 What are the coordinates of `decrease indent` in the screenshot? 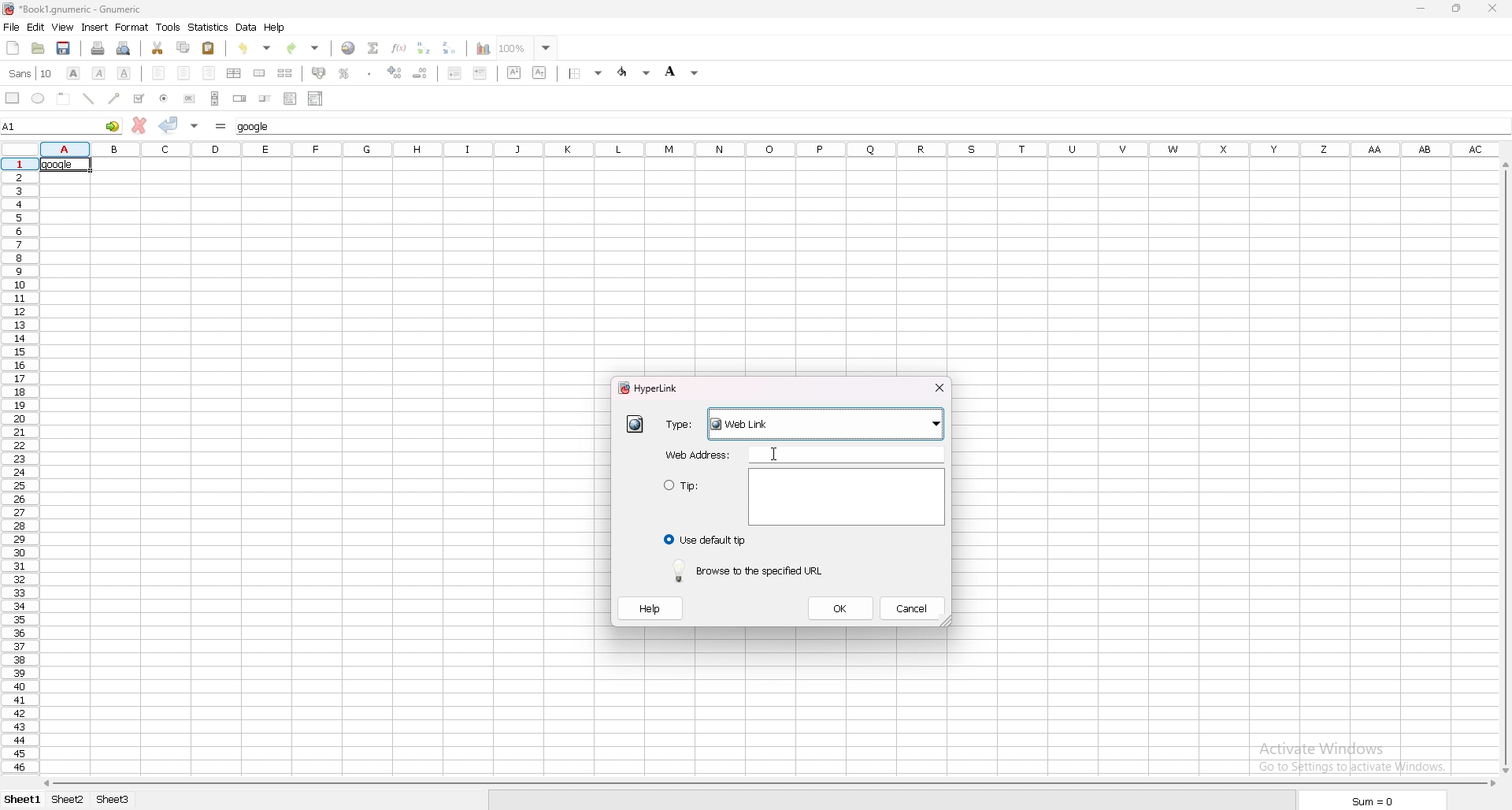 It's located at (454, 72).